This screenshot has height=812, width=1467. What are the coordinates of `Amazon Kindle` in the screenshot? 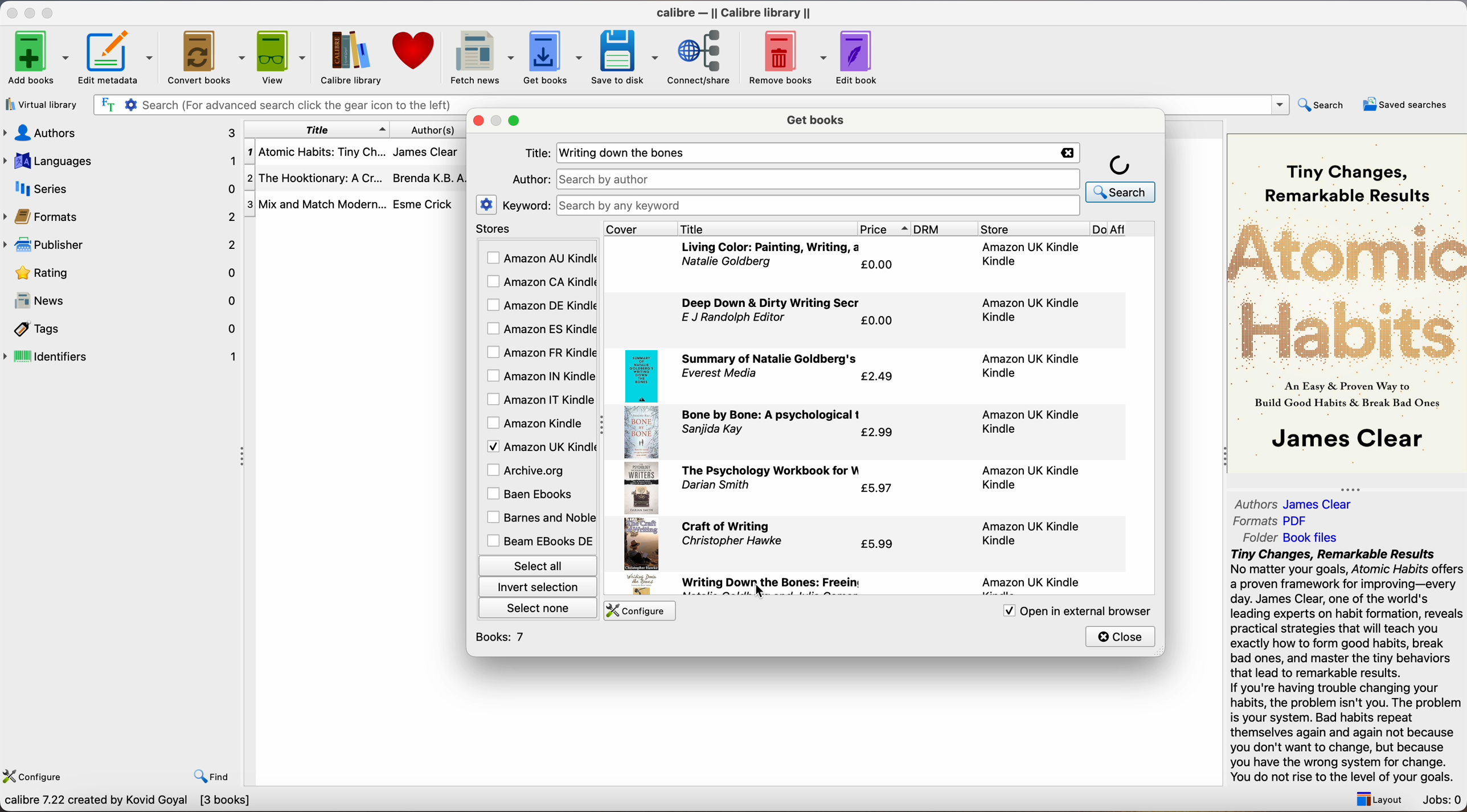 It's located at (536, 423).